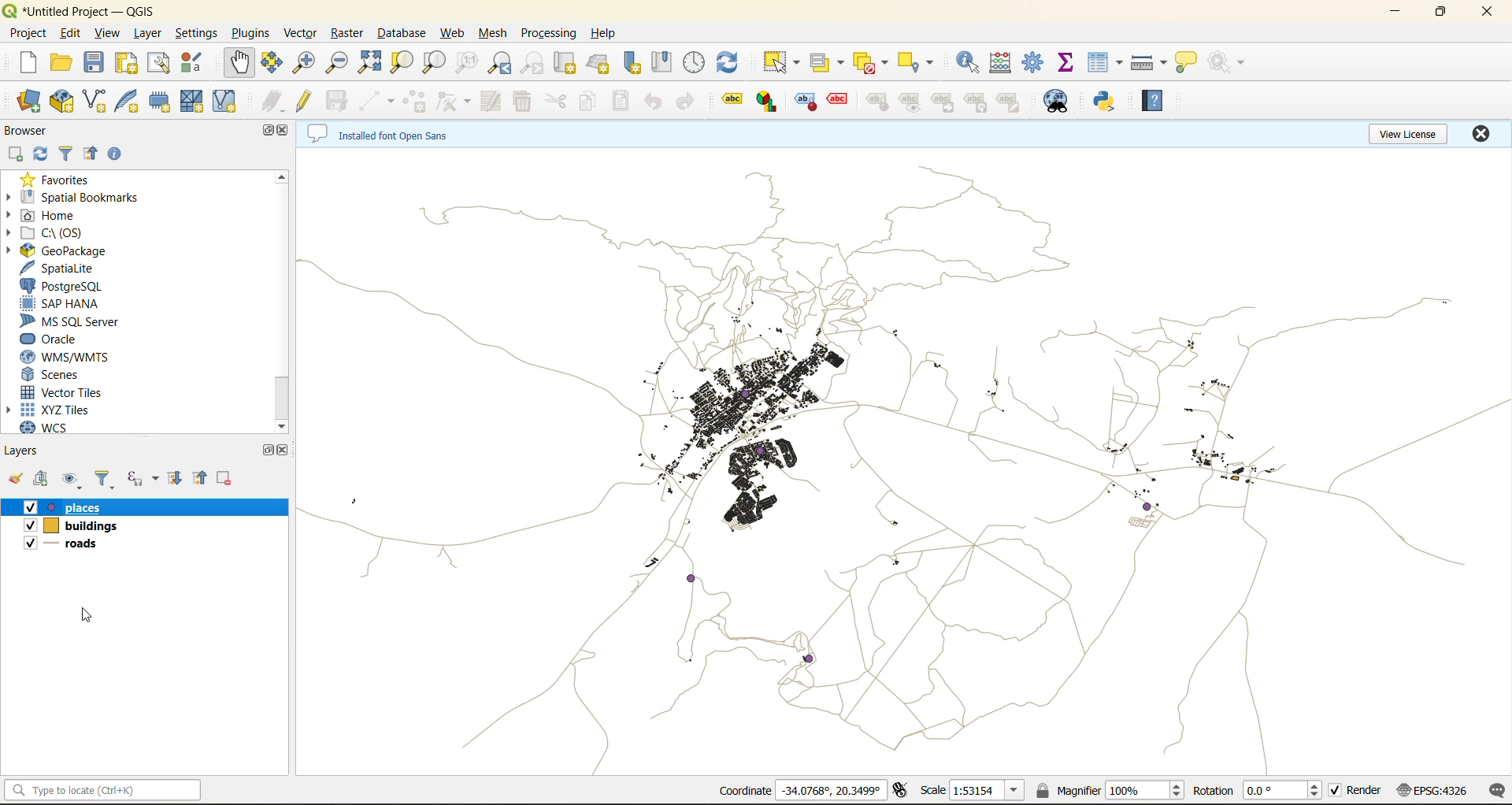  Describe the element at coordinates (1035, 61) in the screenshot. I see `tool box` at that location.